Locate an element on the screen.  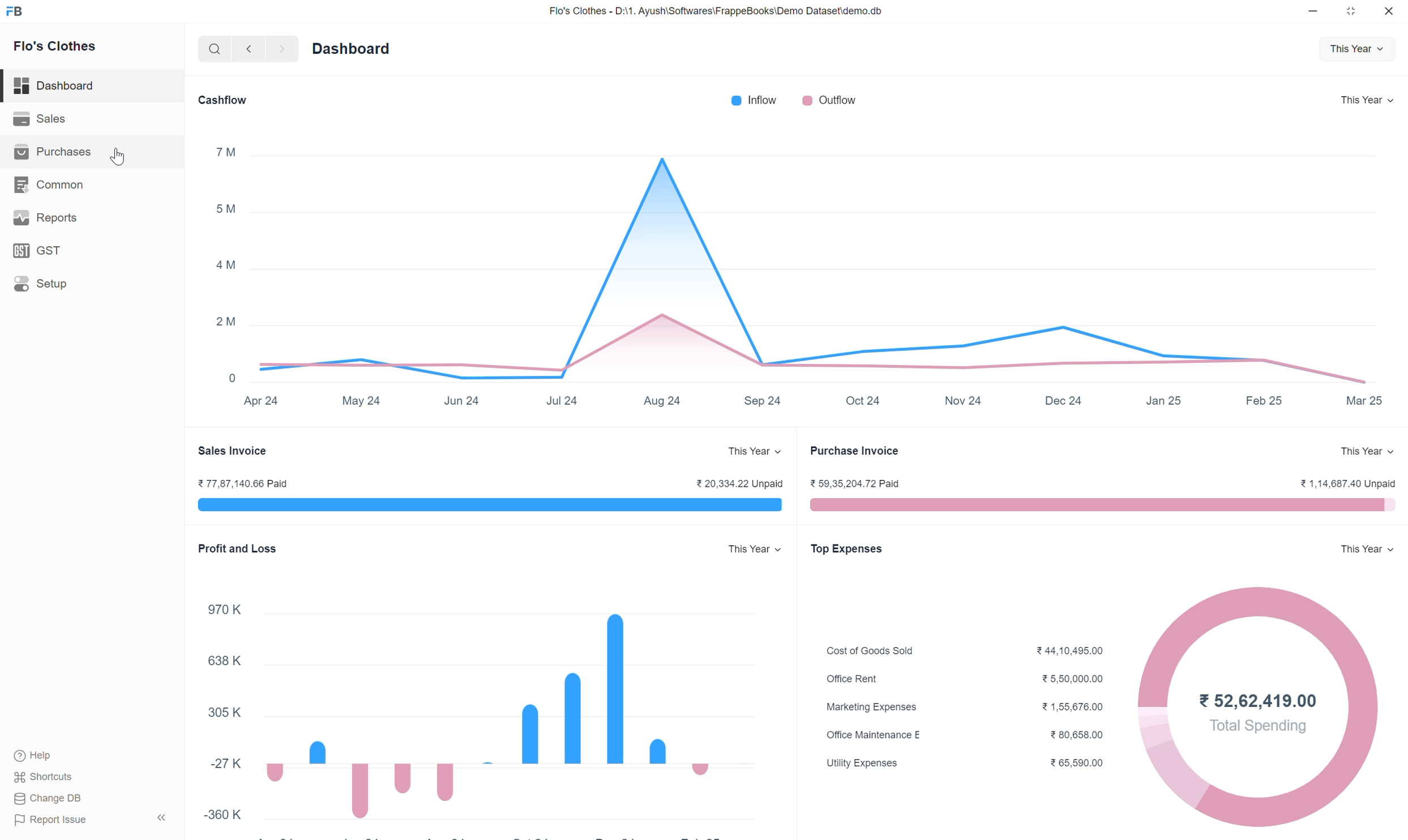
Mar 25 is located at coordinates (1364, 400).